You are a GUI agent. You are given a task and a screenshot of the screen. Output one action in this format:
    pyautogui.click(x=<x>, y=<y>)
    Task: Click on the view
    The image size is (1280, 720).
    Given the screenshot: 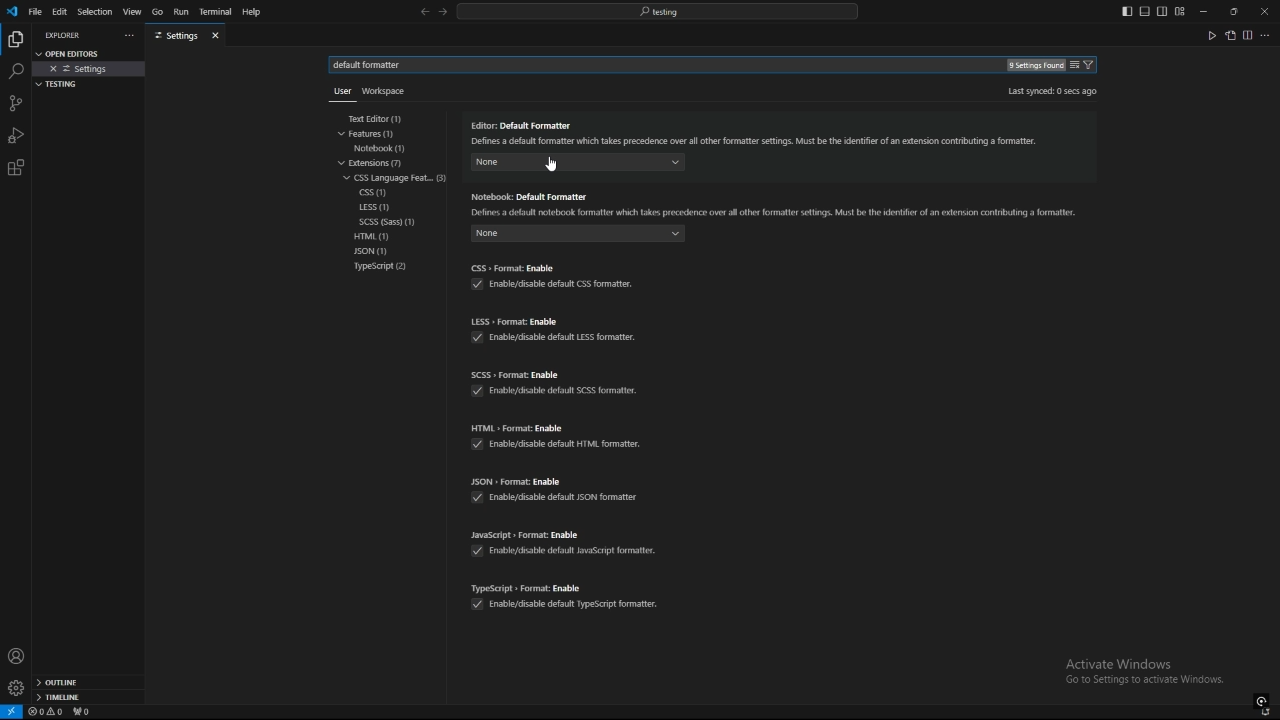 What is the action you would take?
    pyautogui.click(x=132, y=12)
    